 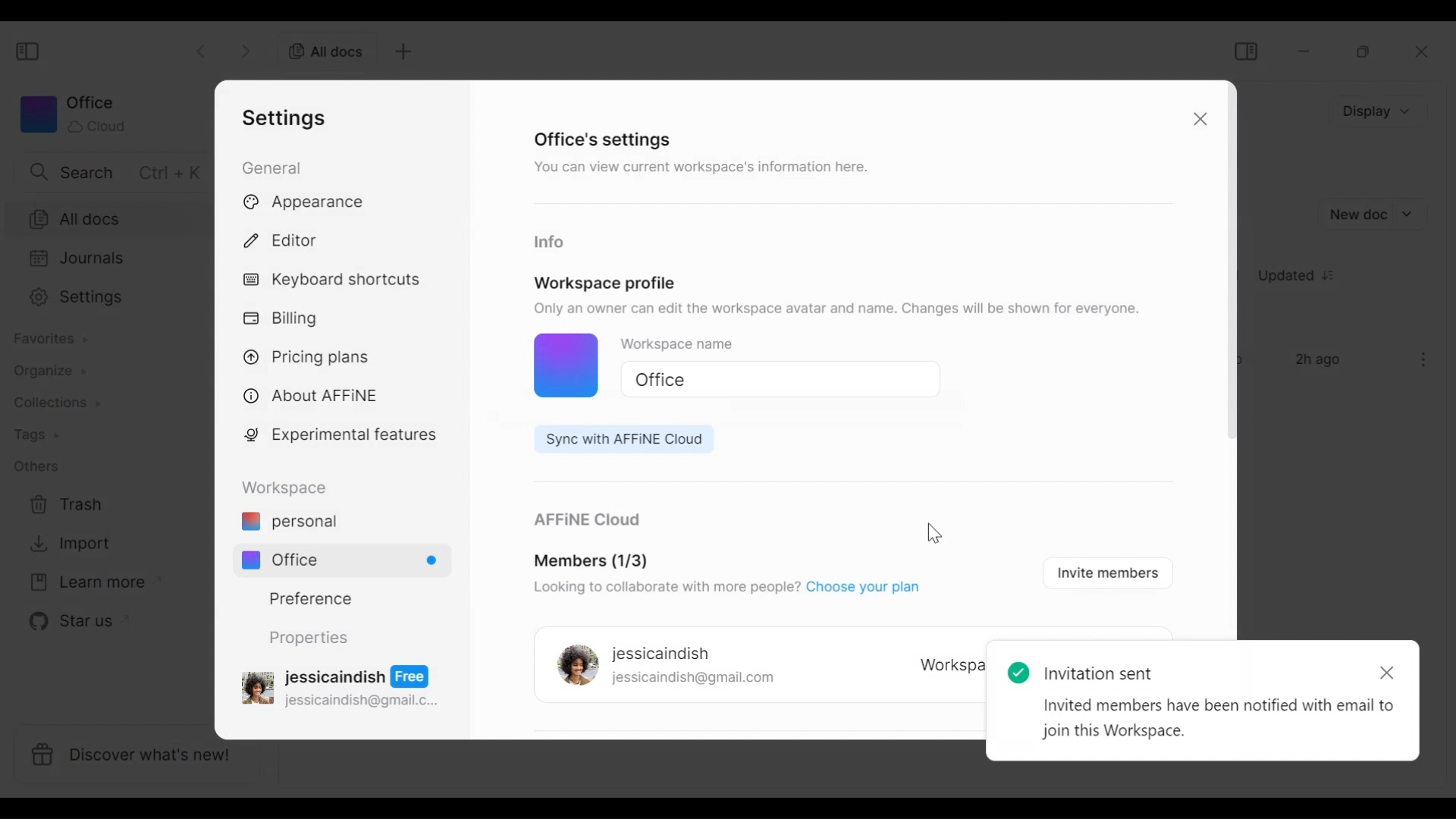 What do you see at coordinates (1245, 51) in the screenshot?
I see `Show/Hide Sidebar` at bounding box center [1245, 51].